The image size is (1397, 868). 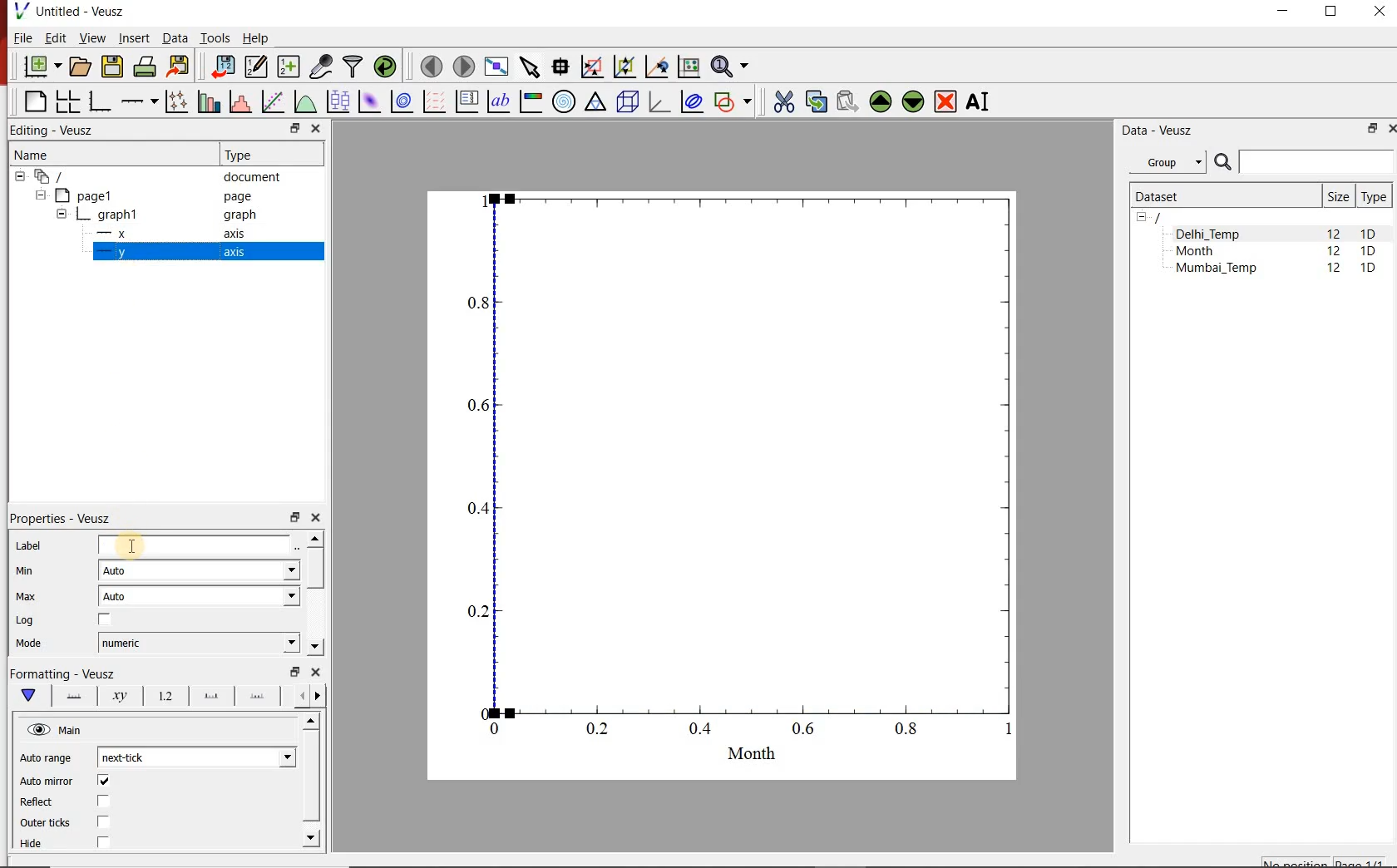 What do you see at coordinates (259, 696) in the screenshot?
I see `Minor ticks` at bounding box center [259, 696].